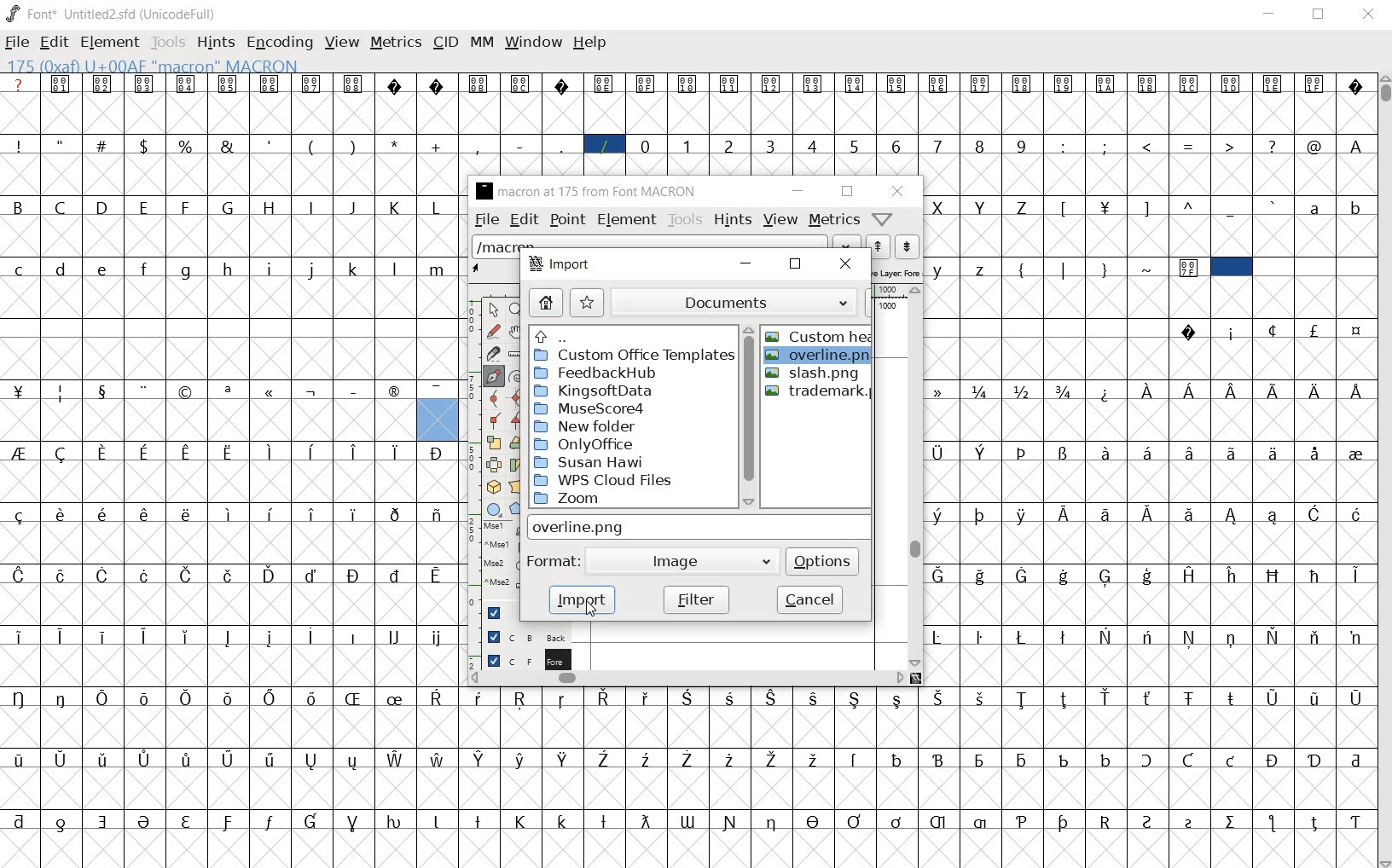 The width and height of the screenshot is (1392, 868). Describe the element at coordinates (772, 146) in the screenshot. I see `3` at that location.